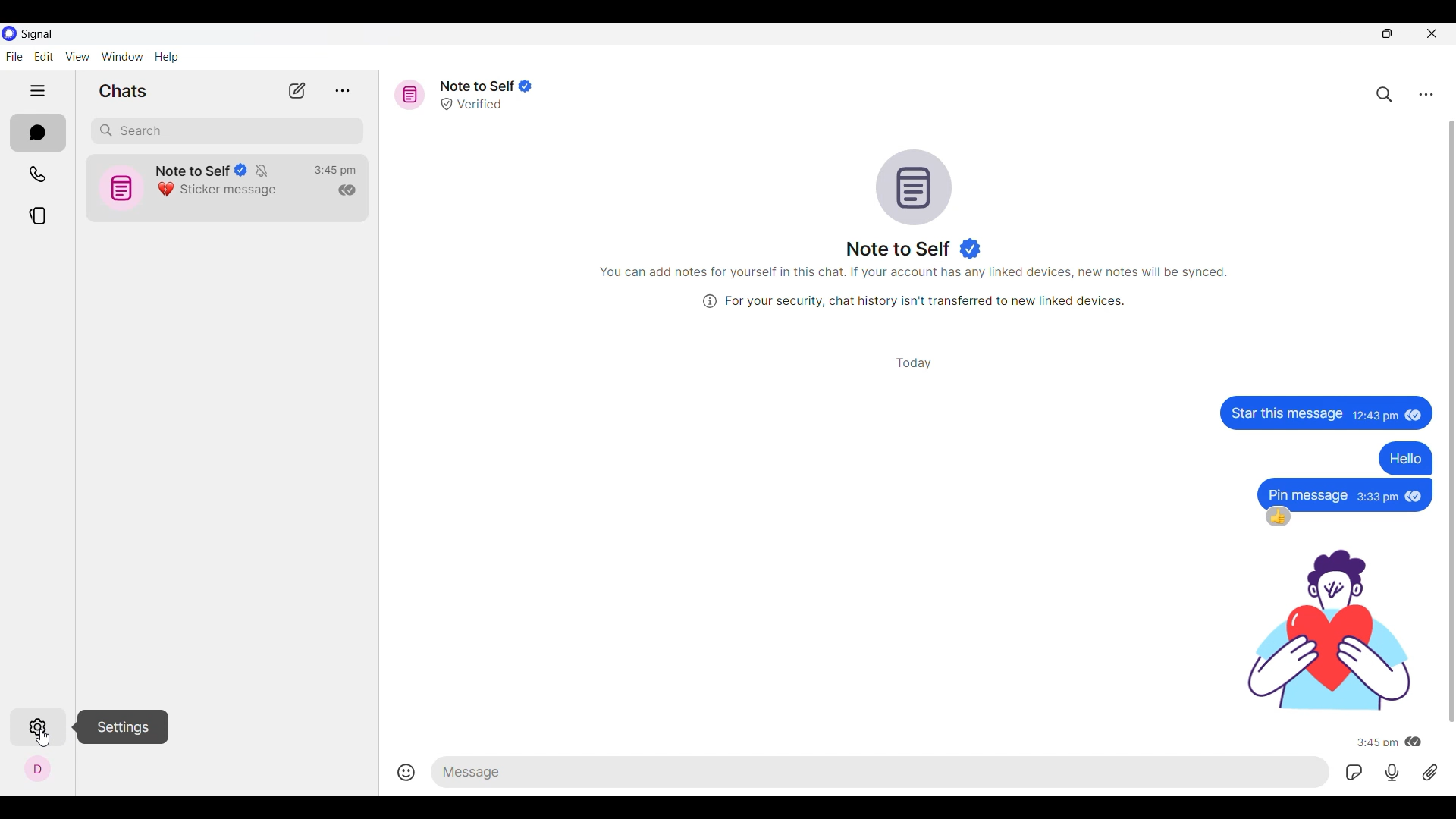 The image size is (1456, 819). Describe the element at coordinates (1414, 740) in the screenshot. I see `message has been read` at that location.